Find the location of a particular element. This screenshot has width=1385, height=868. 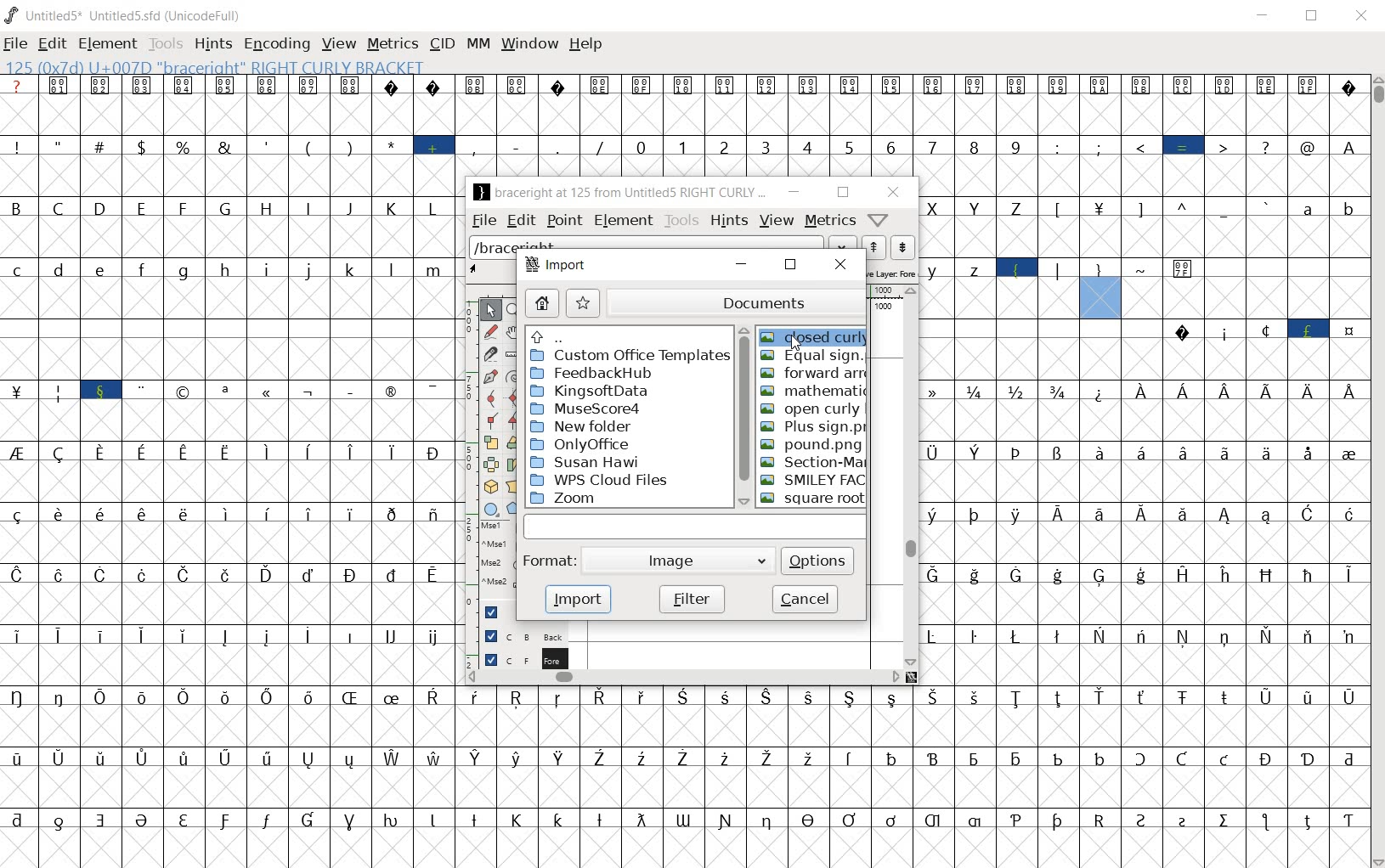

VIEW is located at coordinates (336, 42).